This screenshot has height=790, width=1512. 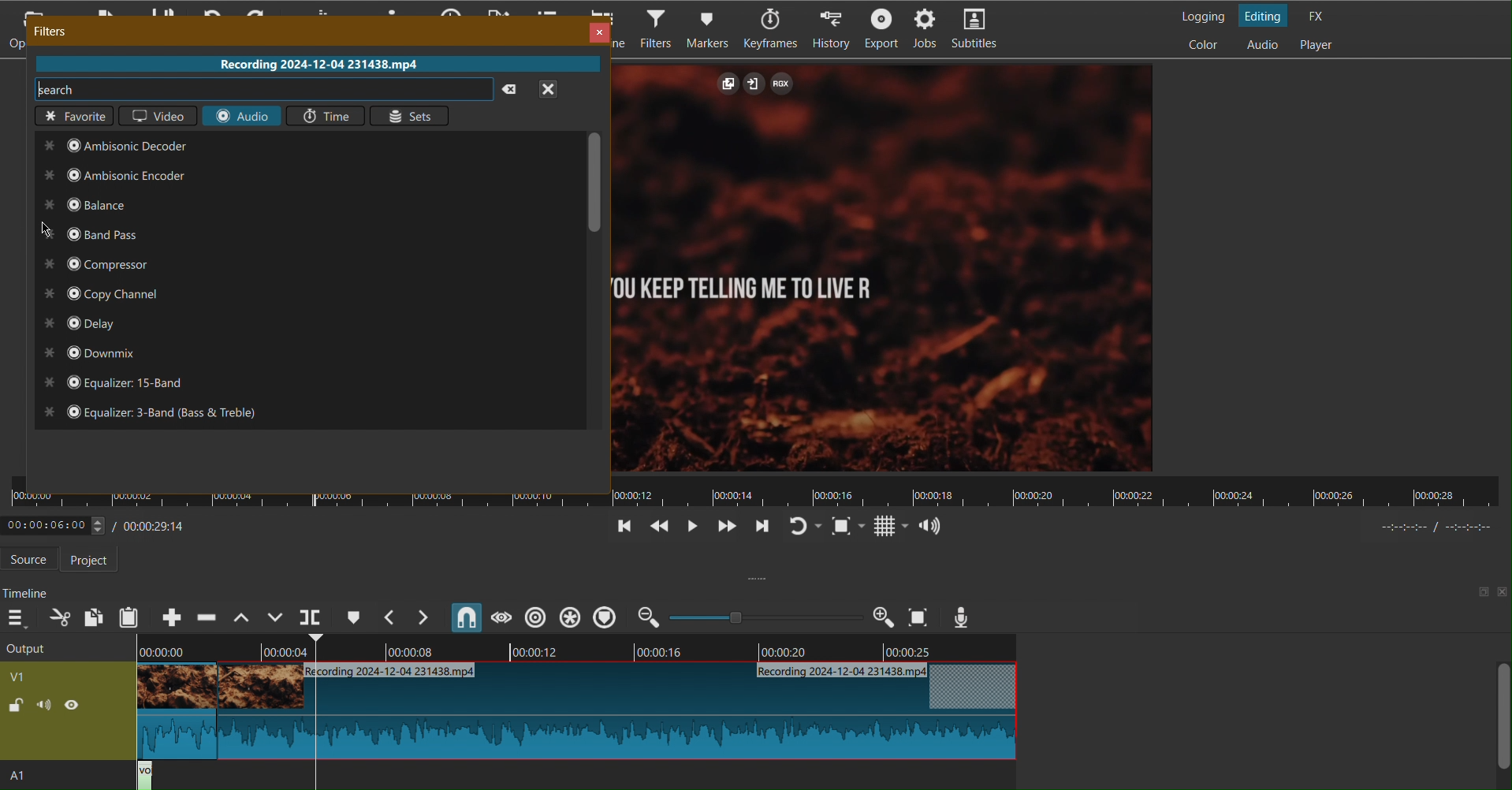 I want to click on Filters, so click(x=653, y=28).